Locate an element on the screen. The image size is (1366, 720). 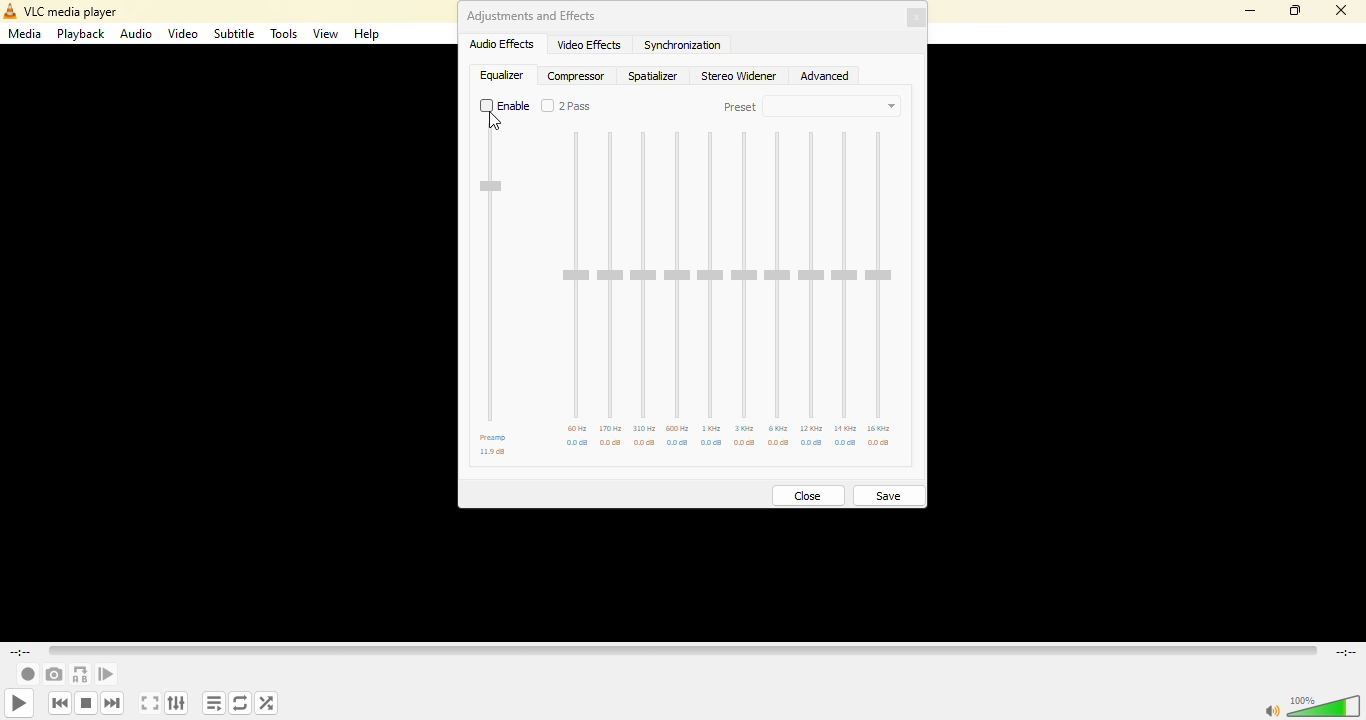
audio effects is located at coordinates (503, 44).